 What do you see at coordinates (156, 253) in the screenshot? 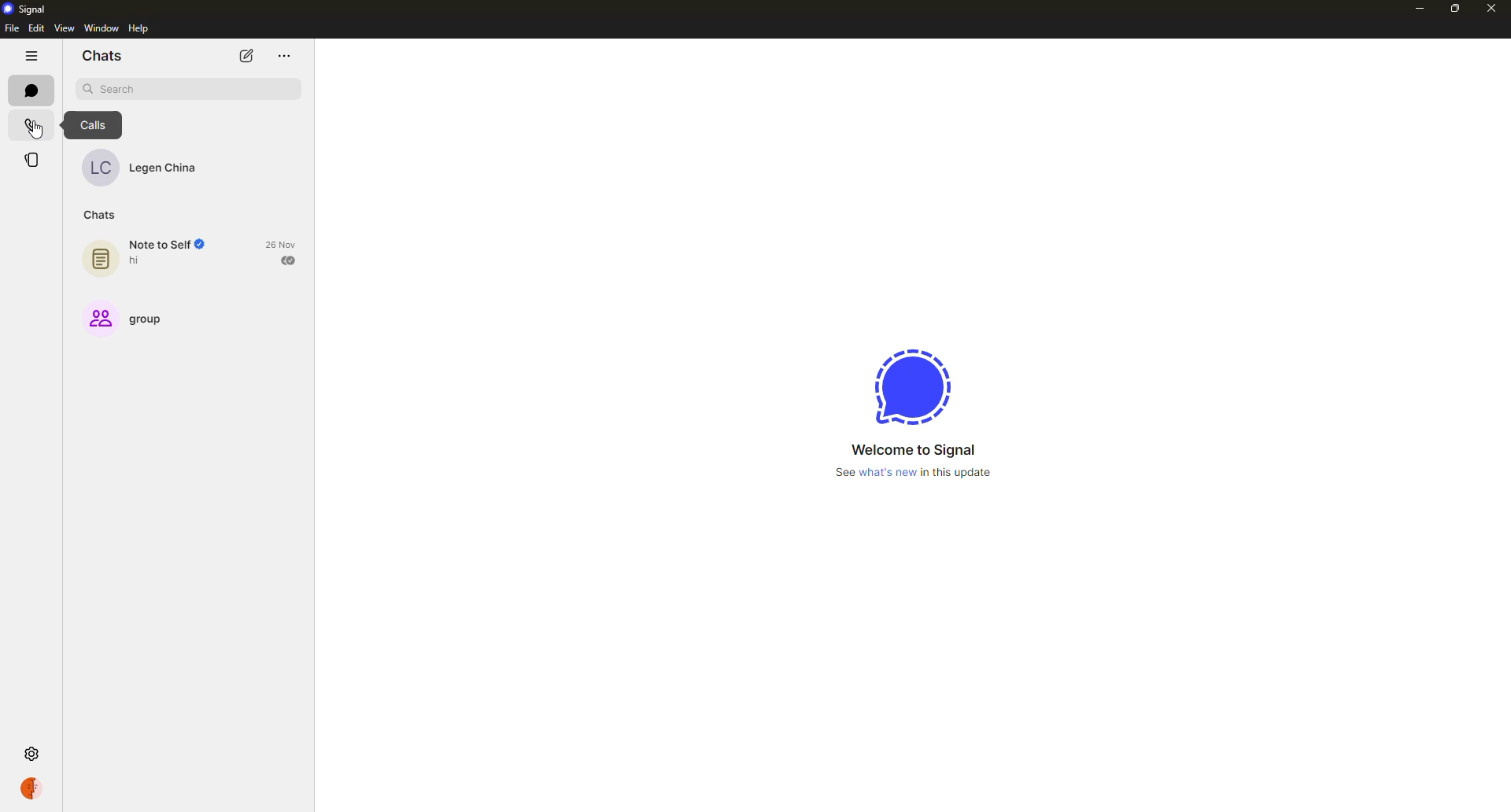
I see `note to self` at bounding box center [156, 253].